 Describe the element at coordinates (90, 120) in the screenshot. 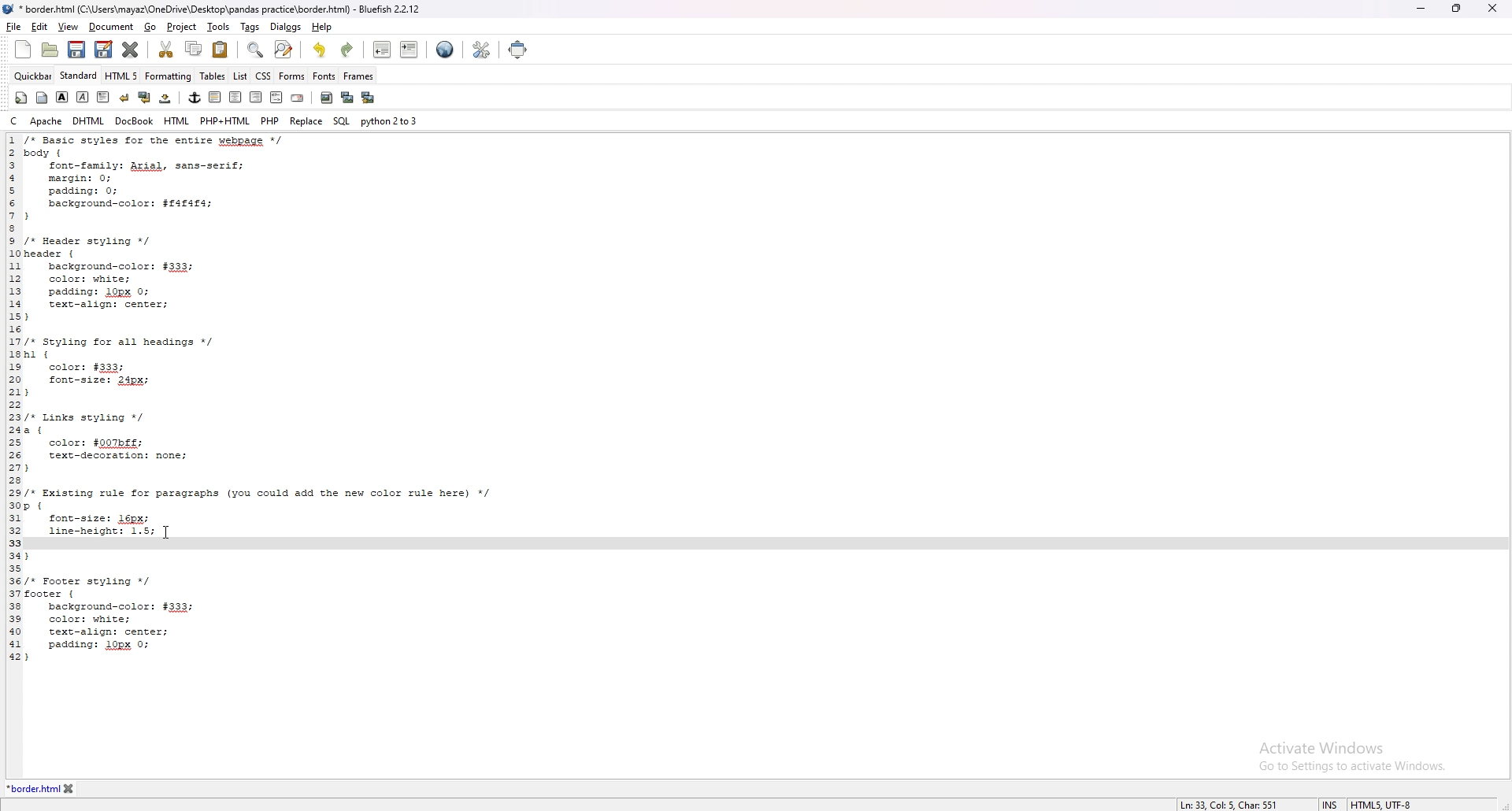

I see `dhtml` at that location.